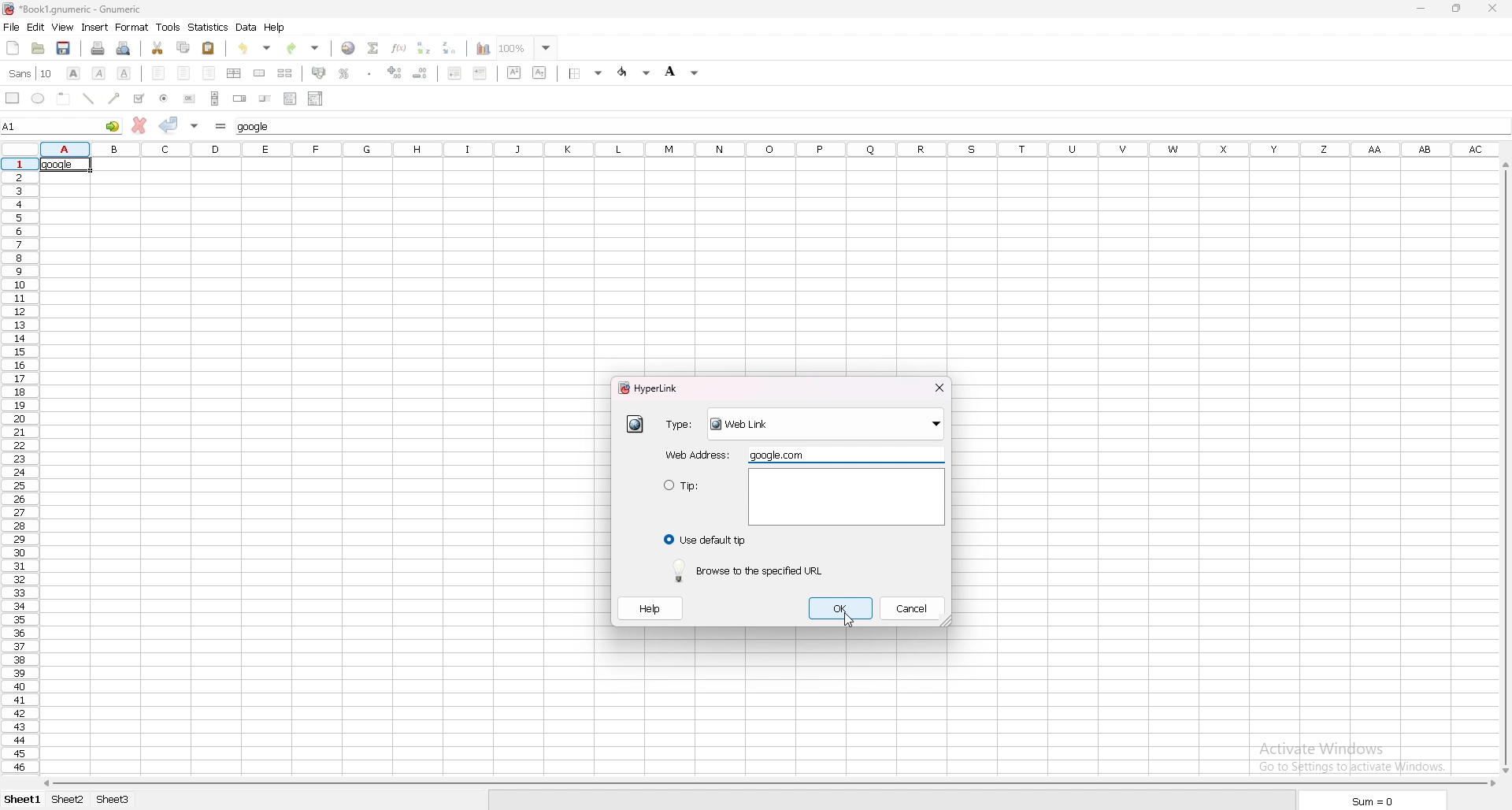 Image resolution: width=1512 pixels, height=810 pixels. Describe the element at coordinates (90, 97) in the screenshot. I see `line` at that location.